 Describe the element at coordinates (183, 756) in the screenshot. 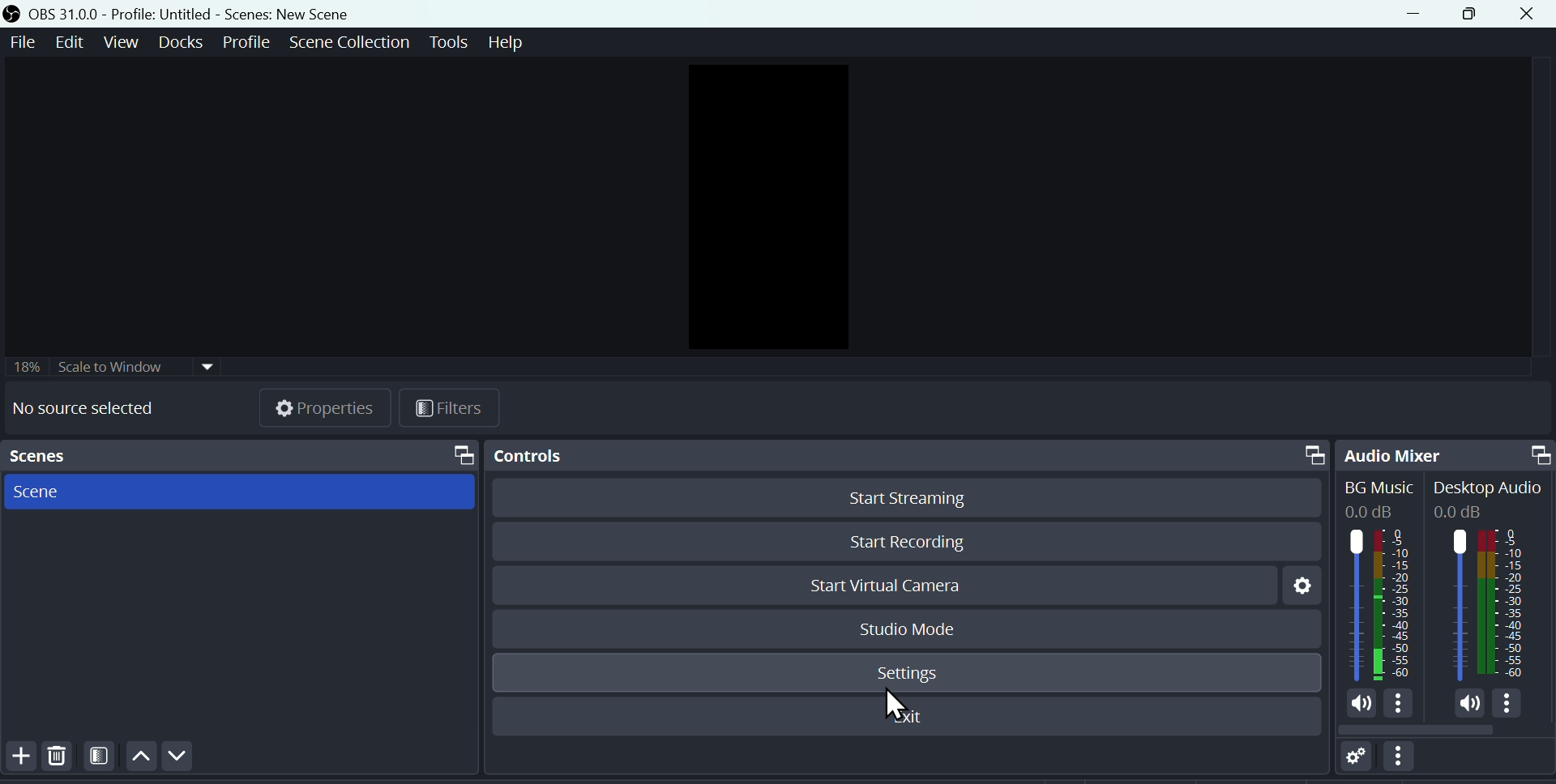

I see `Down ` at that location.